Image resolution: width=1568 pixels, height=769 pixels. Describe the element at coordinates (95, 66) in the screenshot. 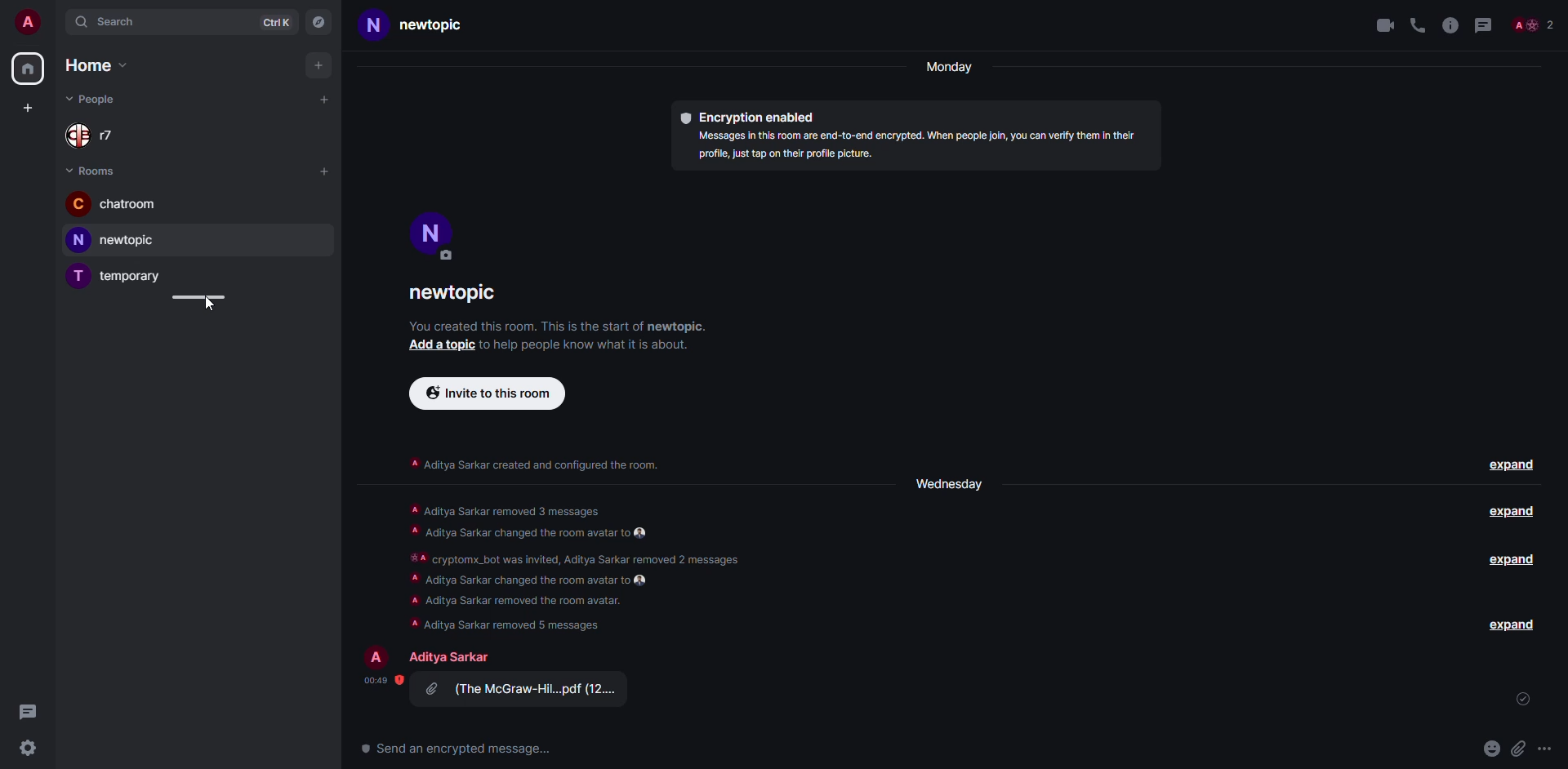

I see `home` at that location.